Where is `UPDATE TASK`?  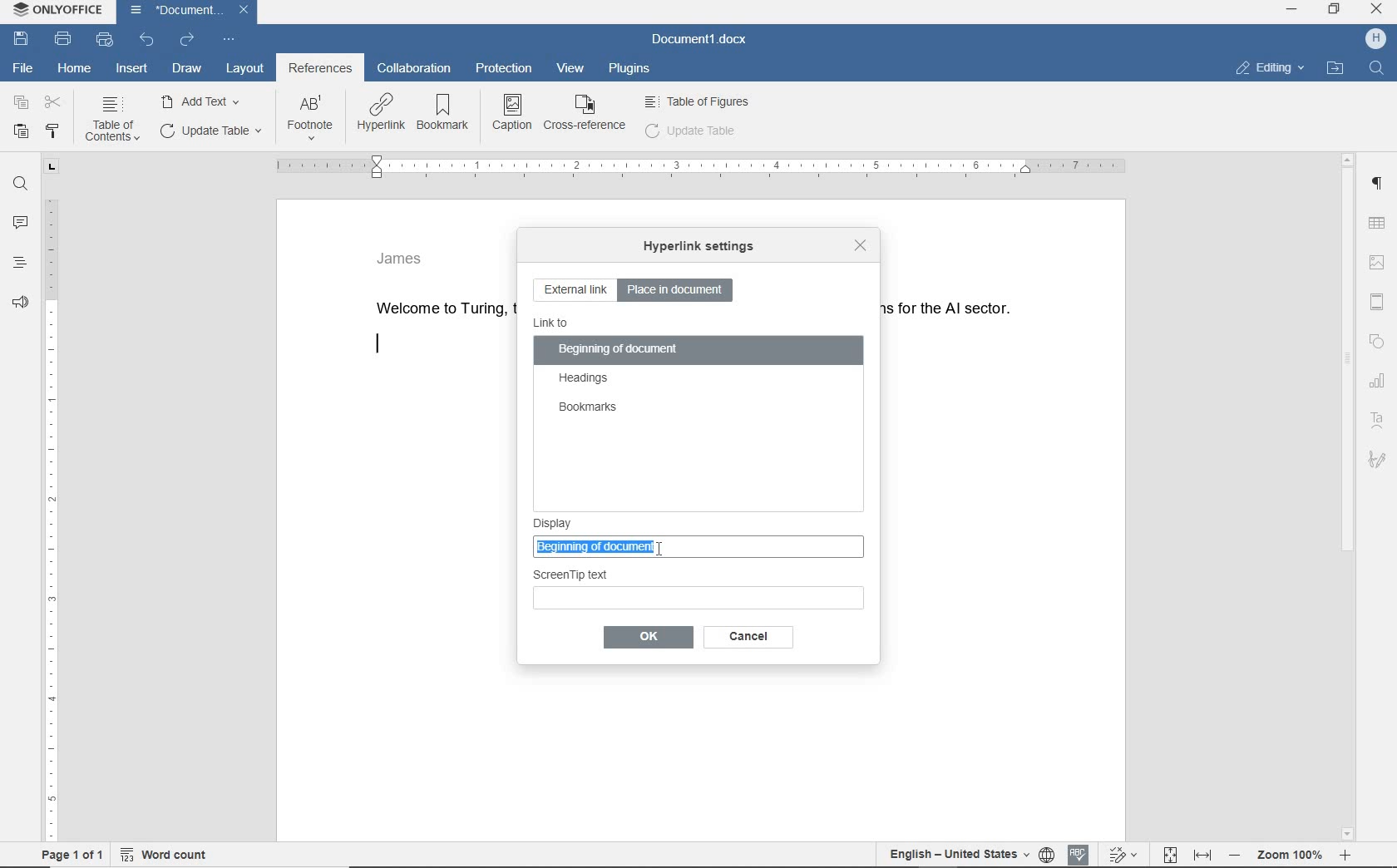 UPDATE TASK is located at coordinates (209, 131).